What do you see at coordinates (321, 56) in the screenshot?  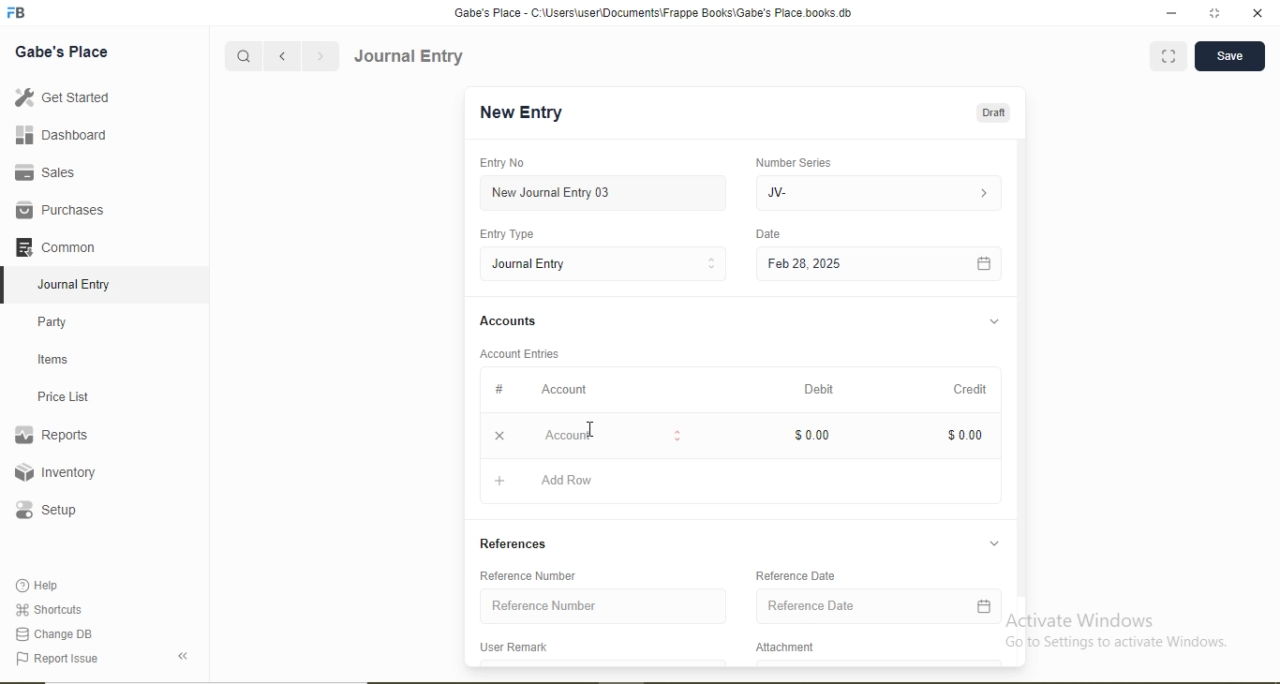 I see `Forward` at bounding box center [321, 56].